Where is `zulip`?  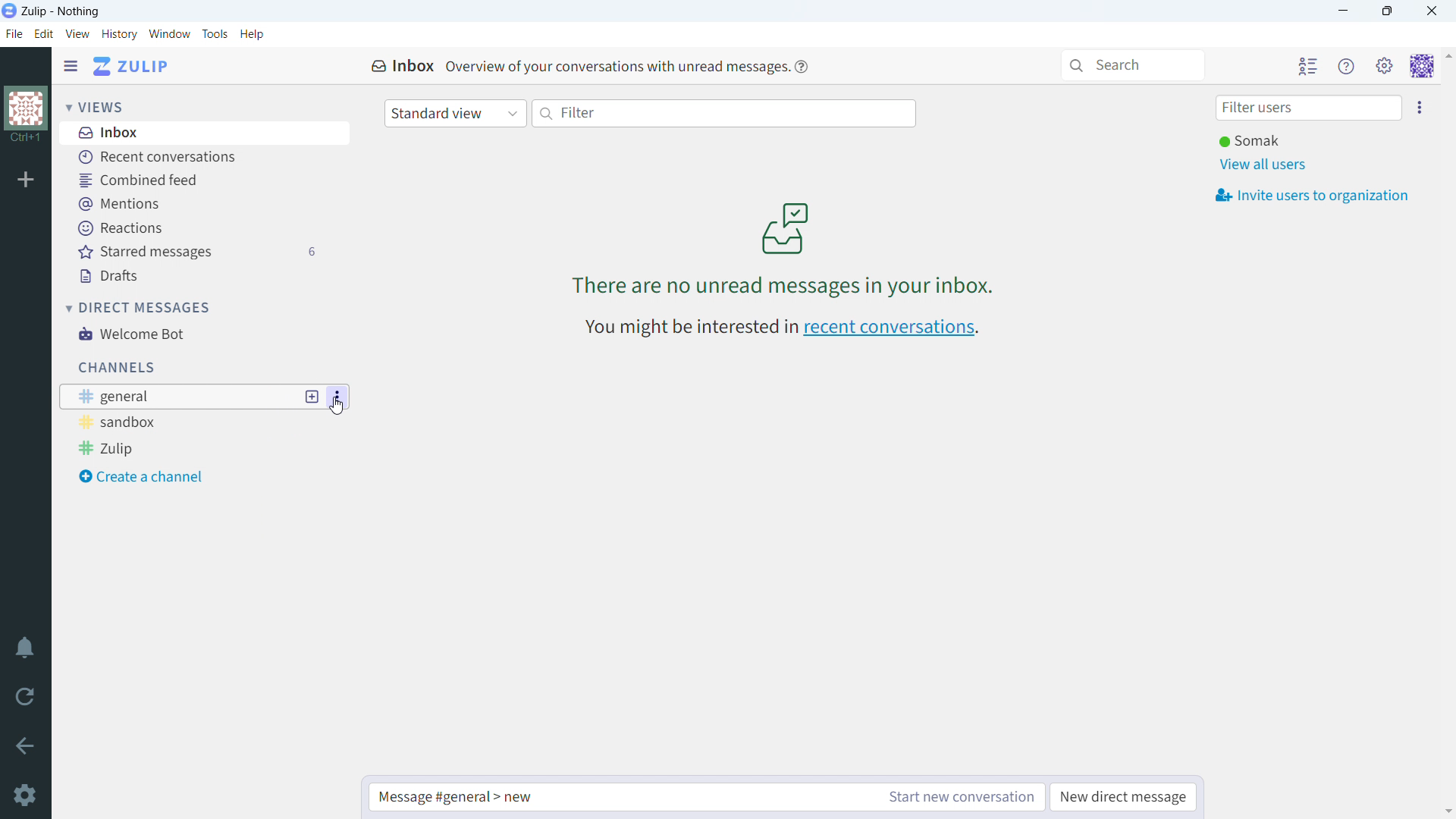
zulip is located at coordinates (178, 448).